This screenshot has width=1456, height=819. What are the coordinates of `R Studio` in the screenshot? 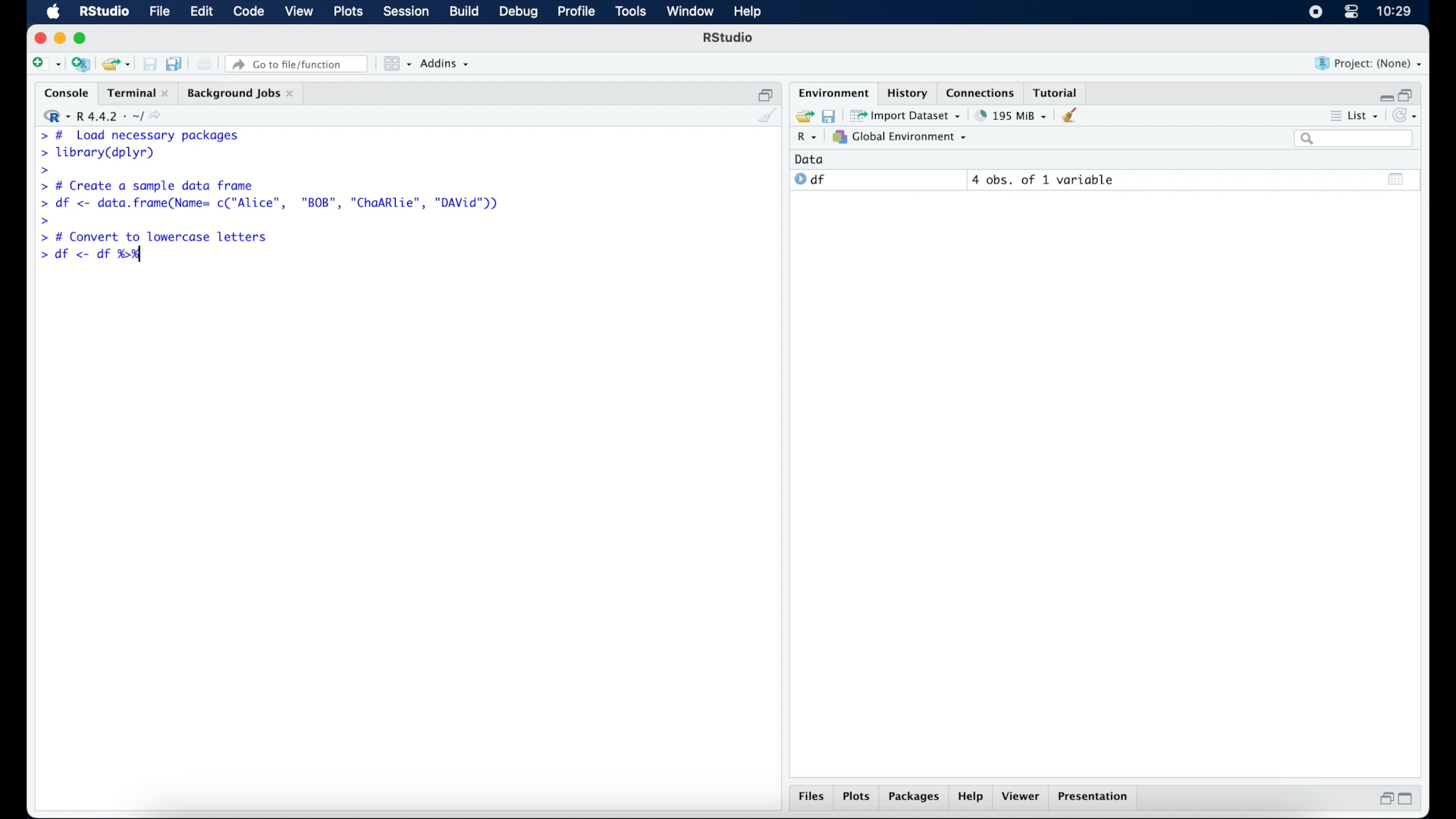 It's located at (104, 12).